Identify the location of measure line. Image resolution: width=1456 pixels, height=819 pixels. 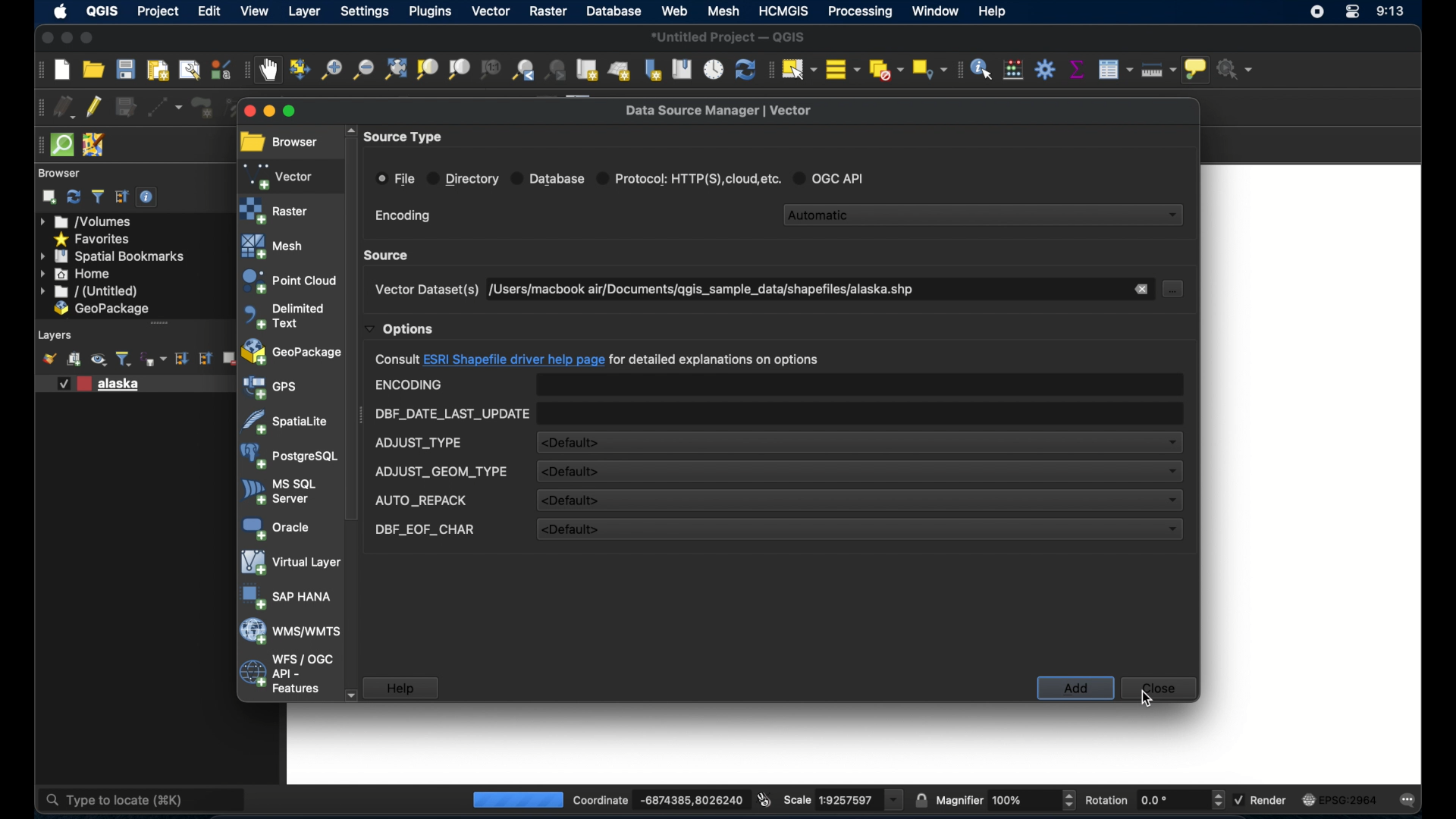
(1159, 71).